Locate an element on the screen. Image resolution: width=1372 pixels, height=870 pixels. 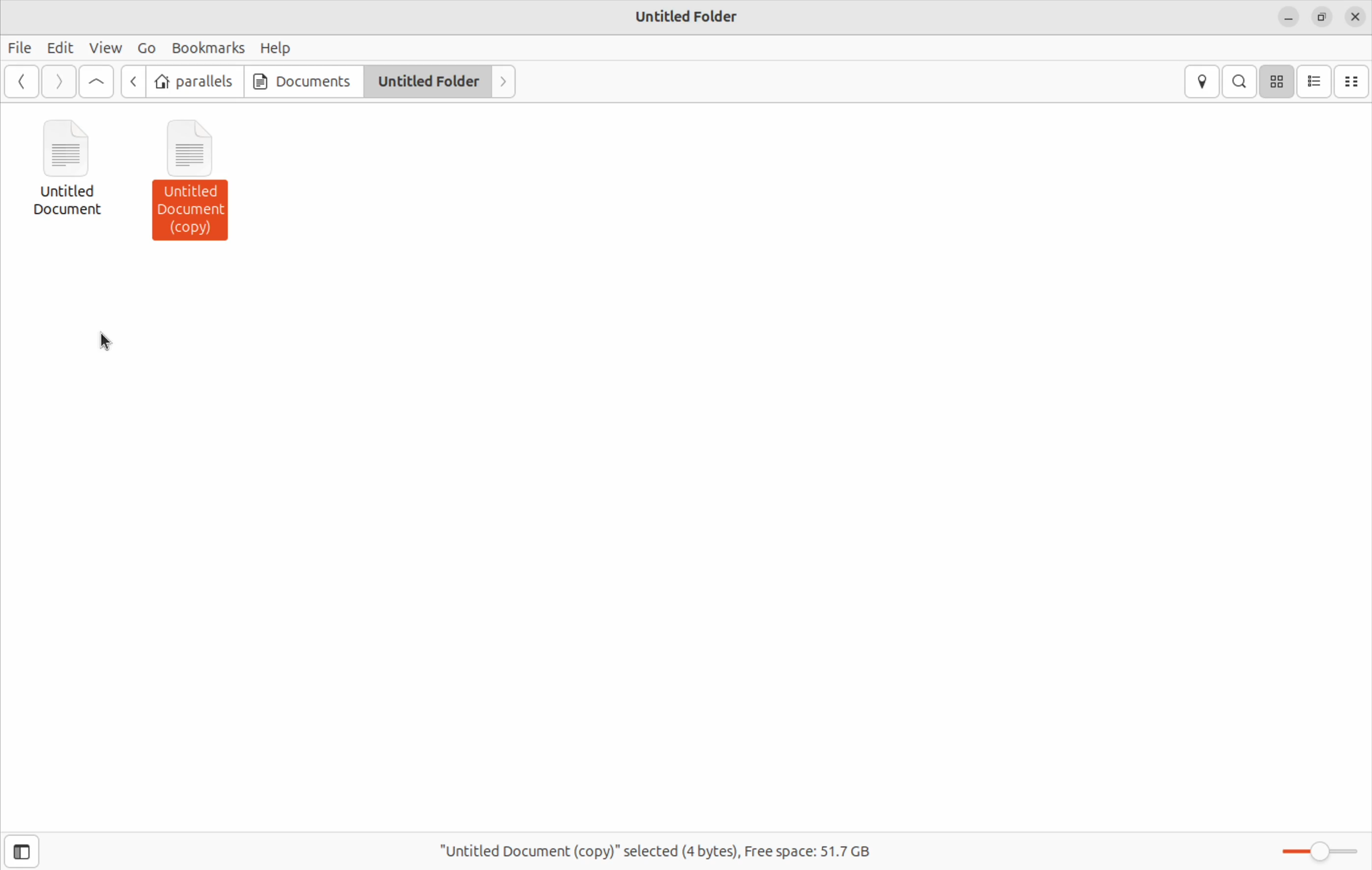
Cursor is located at coordinates (113, 342).